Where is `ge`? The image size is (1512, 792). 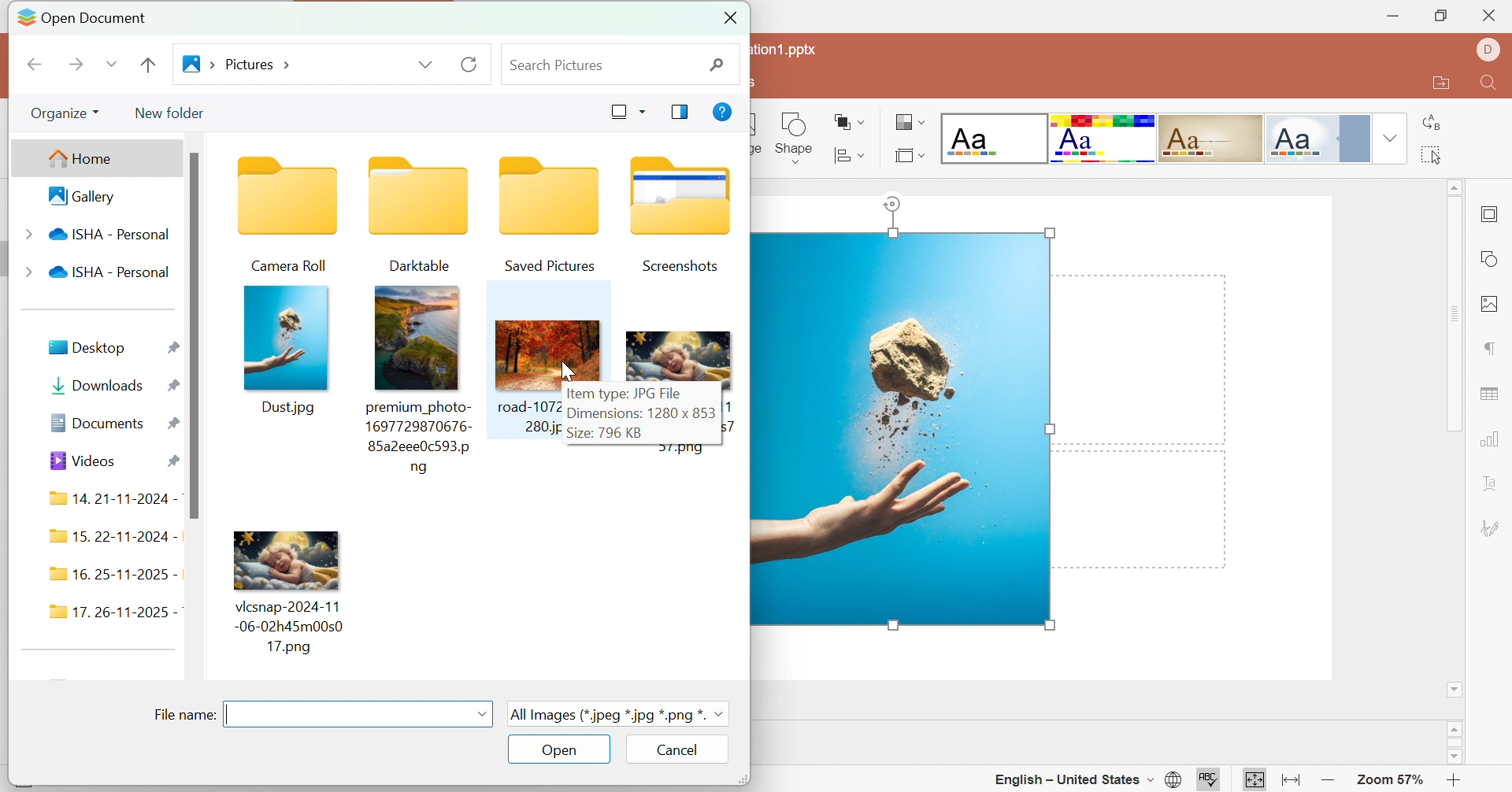
ge is located at coordinates (760, 134).